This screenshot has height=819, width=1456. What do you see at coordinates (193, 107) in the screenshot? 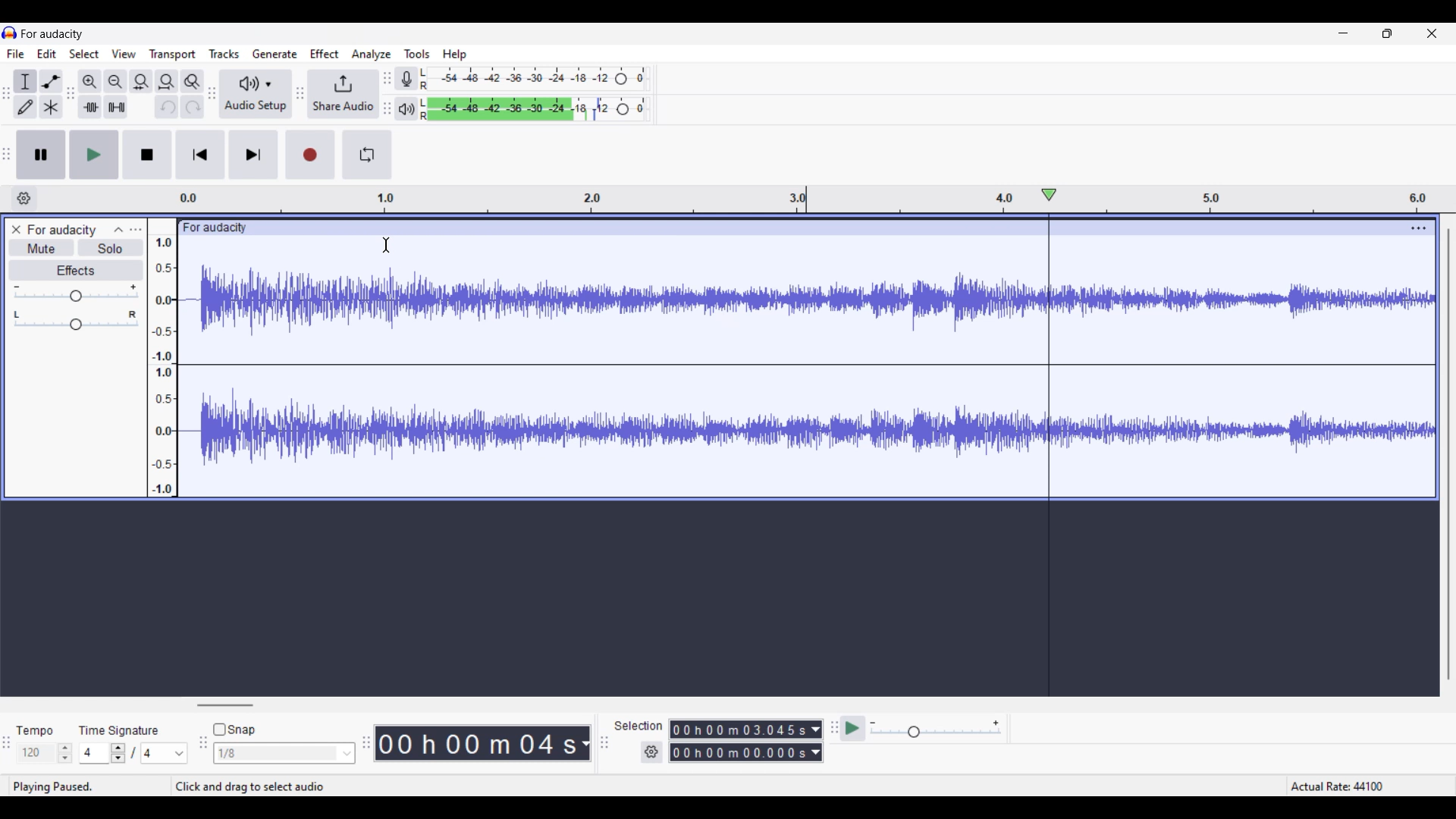
I see `Redo` at bounding box center [193, 107].